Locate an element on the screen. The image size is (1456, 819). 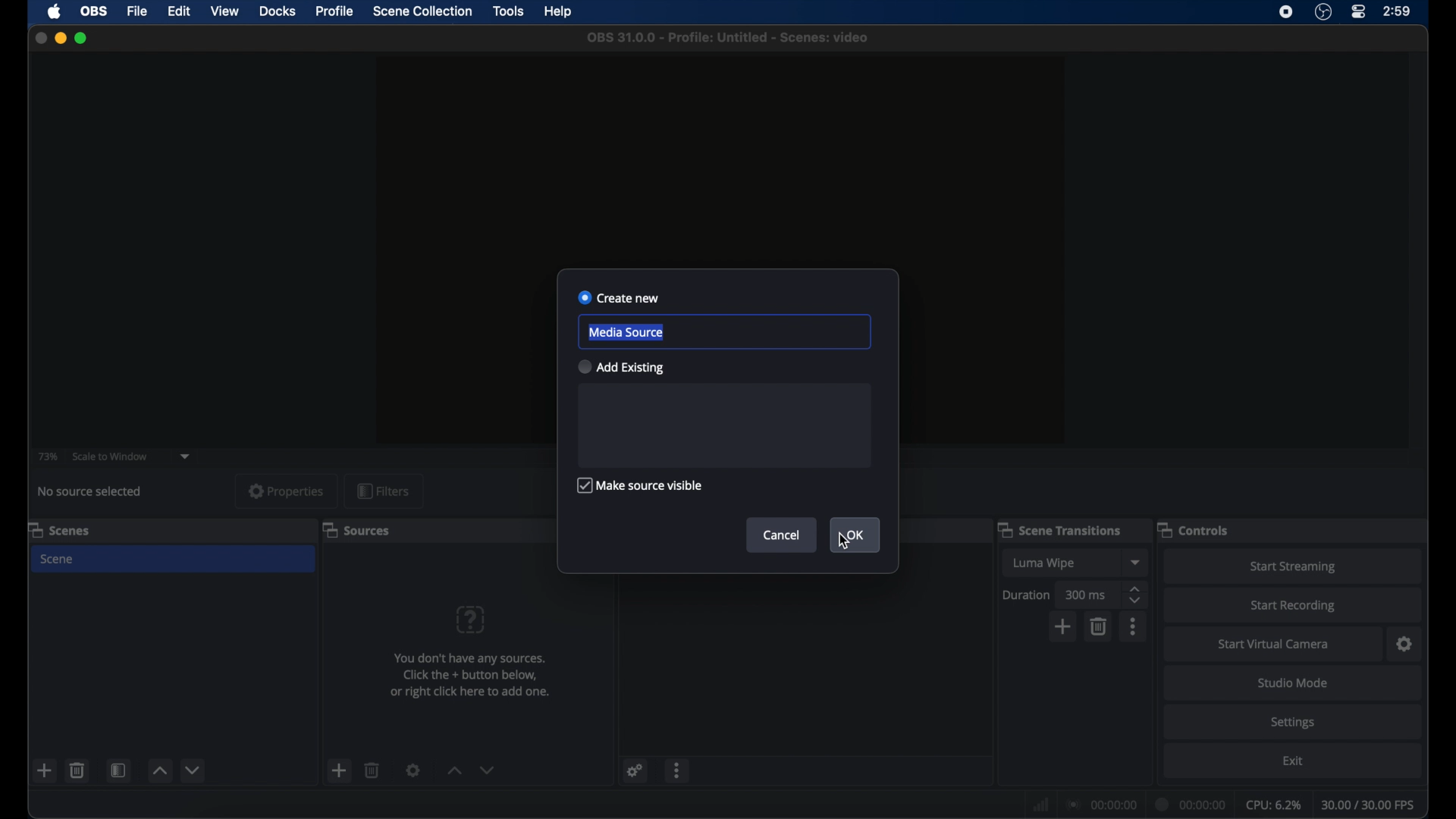
apple icon is located at coordinates (55, 11).